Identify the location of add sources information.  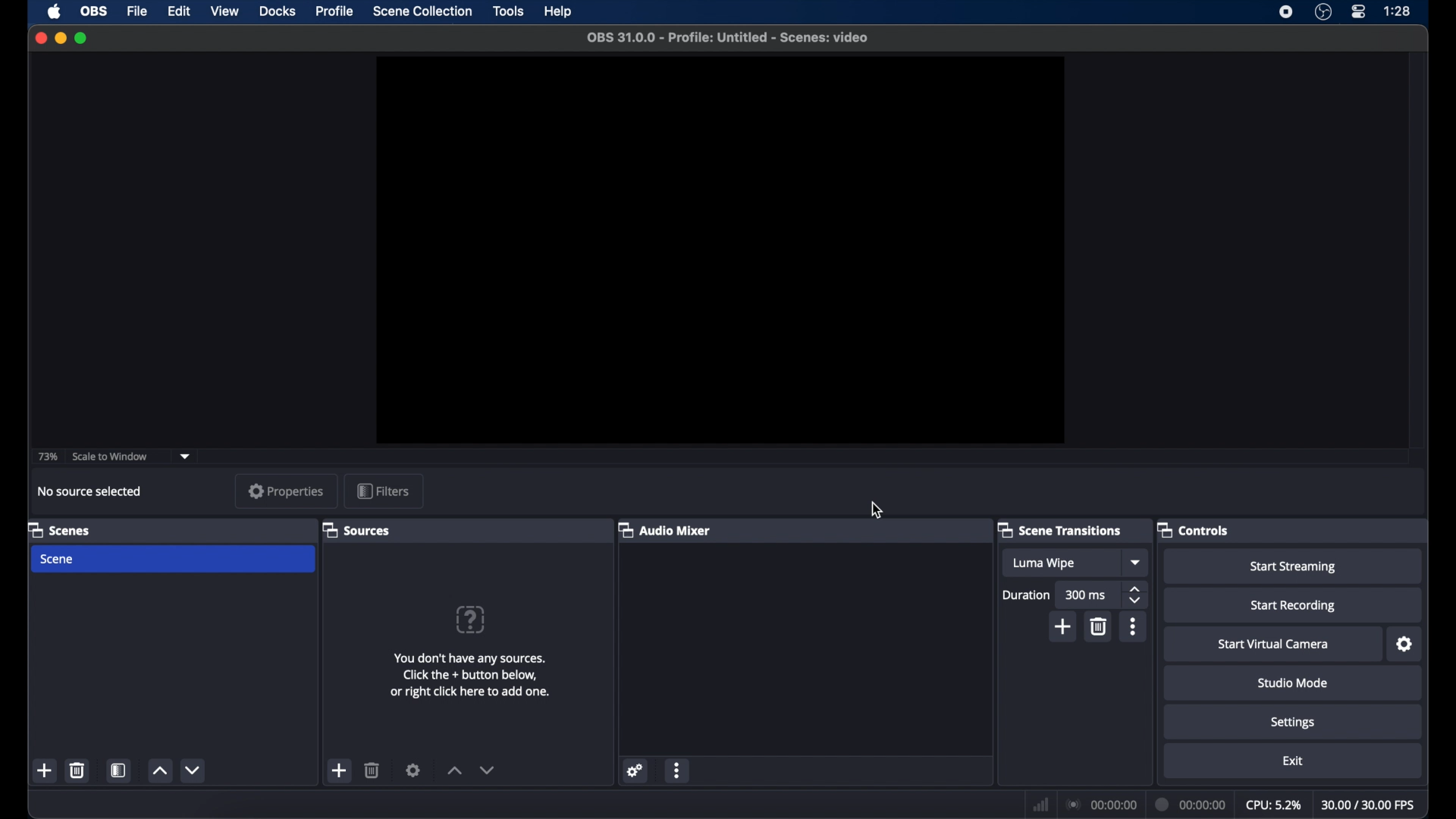
(470, 676).